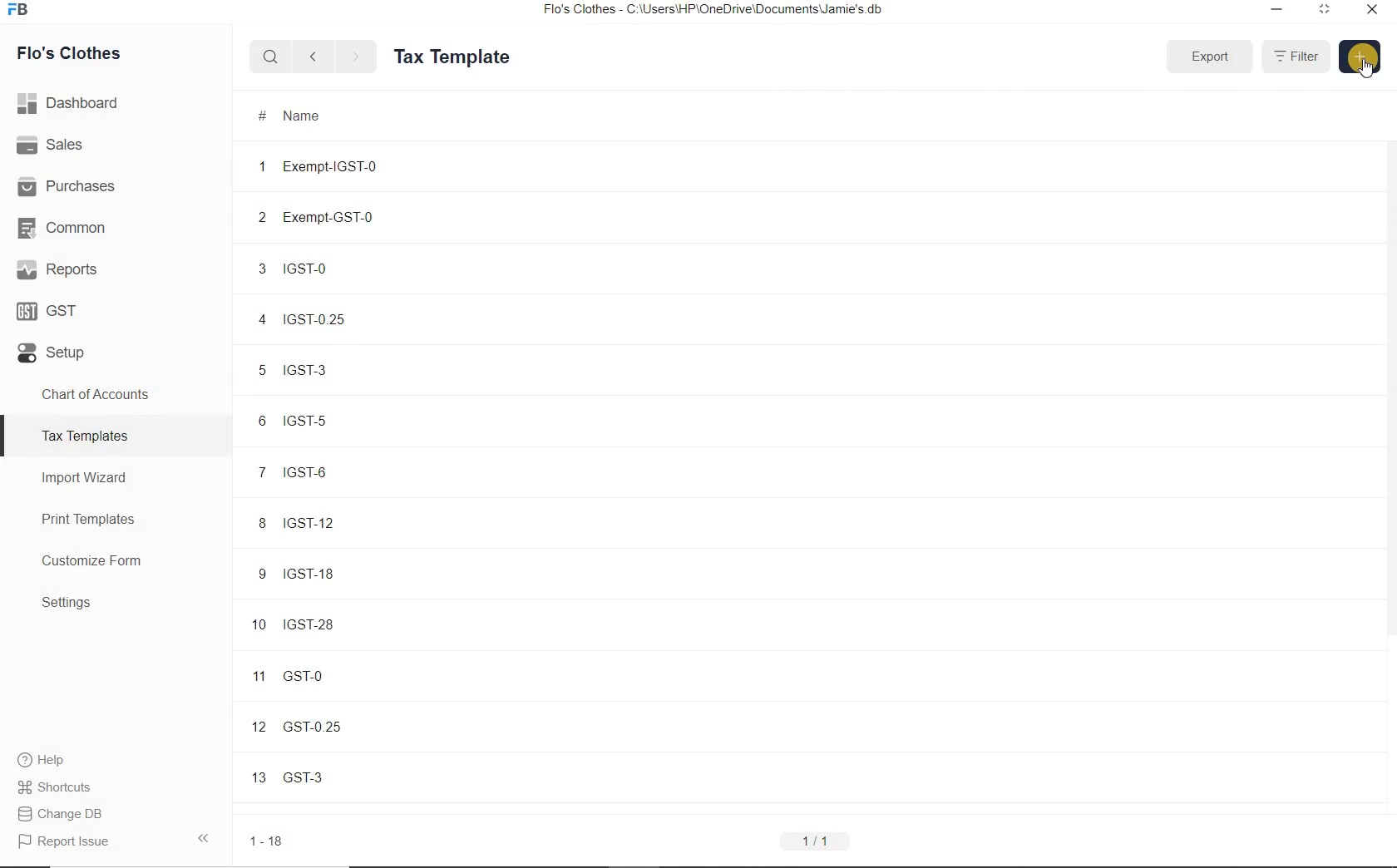  I want to click on Chart of Accounts, so click(115, 394).